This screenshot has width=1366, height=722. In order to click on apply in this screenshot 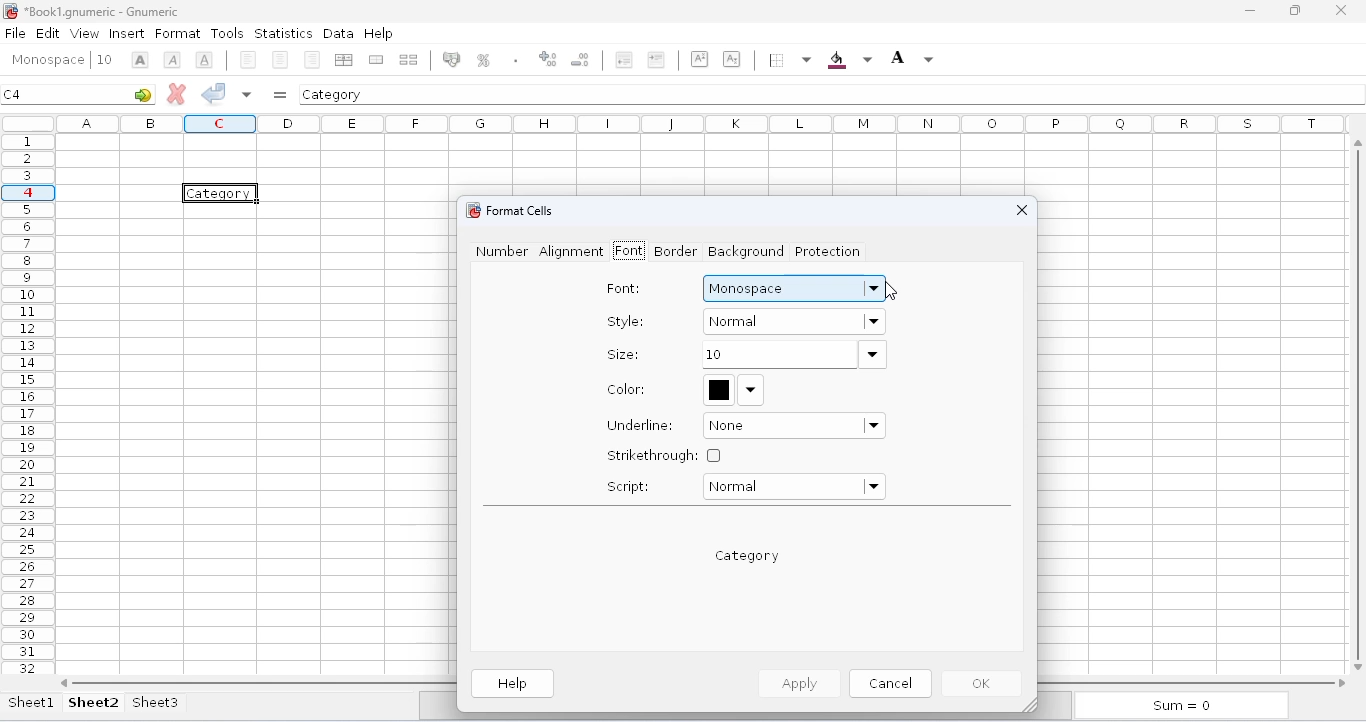, I will do `click(797, 683)`.